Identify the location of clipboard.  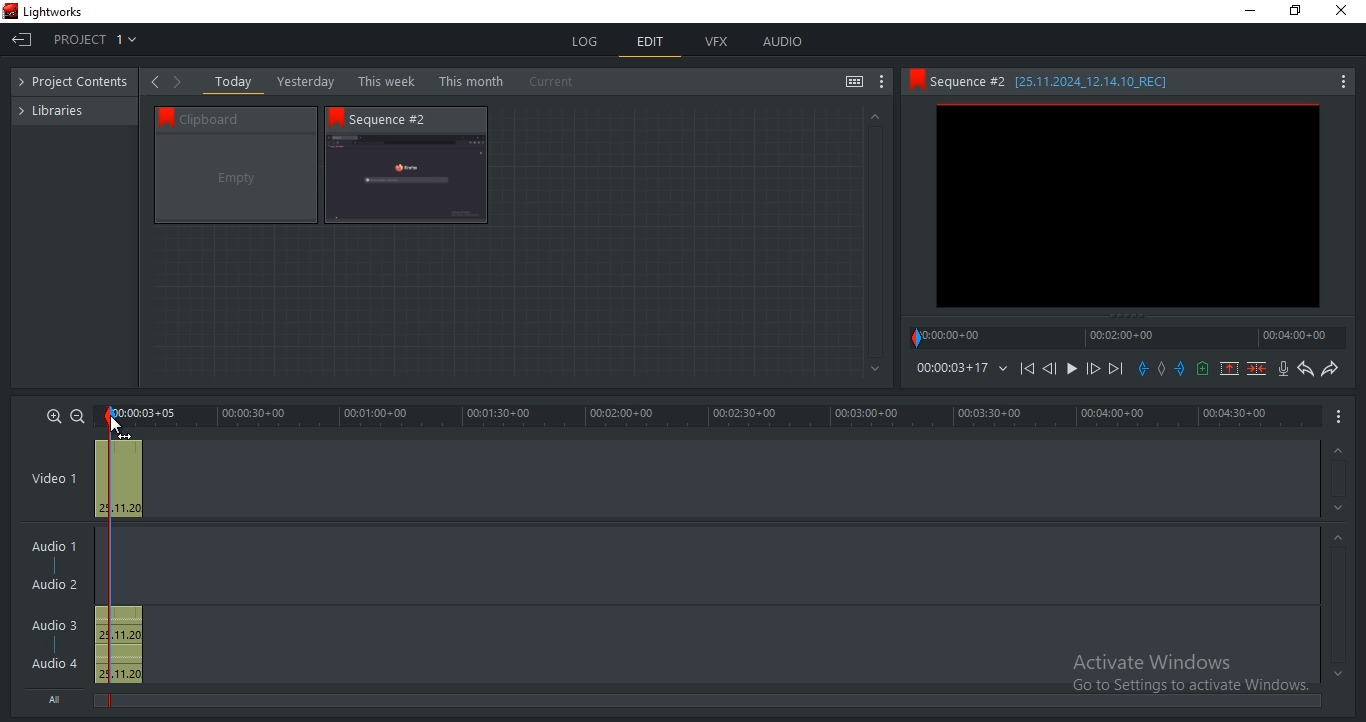
(236, 179).